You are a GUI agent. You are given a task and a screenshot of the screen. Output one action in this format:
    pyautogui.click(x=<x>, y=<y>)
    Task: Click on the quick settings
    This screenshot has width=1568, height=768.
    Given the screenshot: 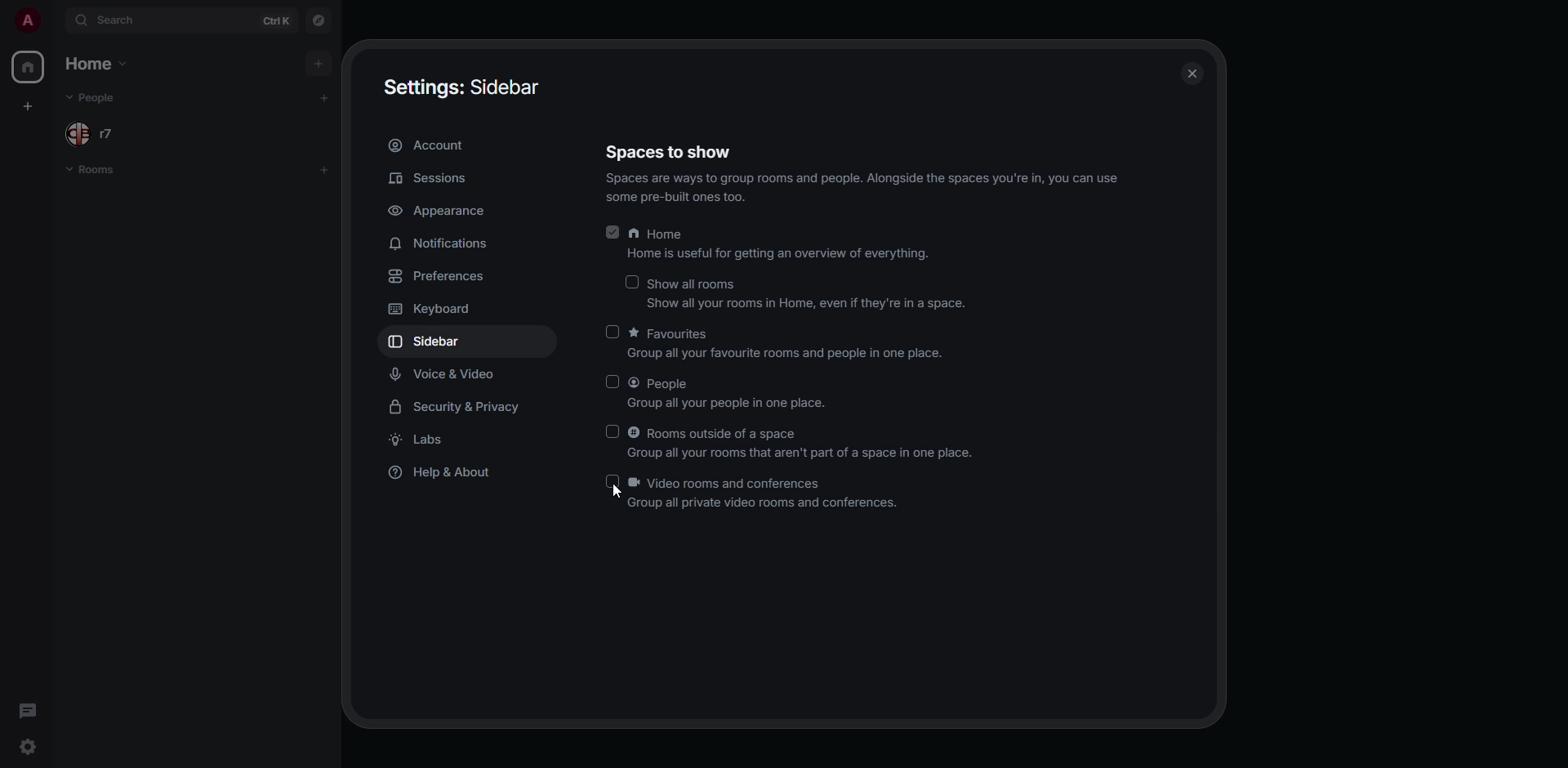 What is the action you would take?
    pyautogui.click(x=28, y=745)
    